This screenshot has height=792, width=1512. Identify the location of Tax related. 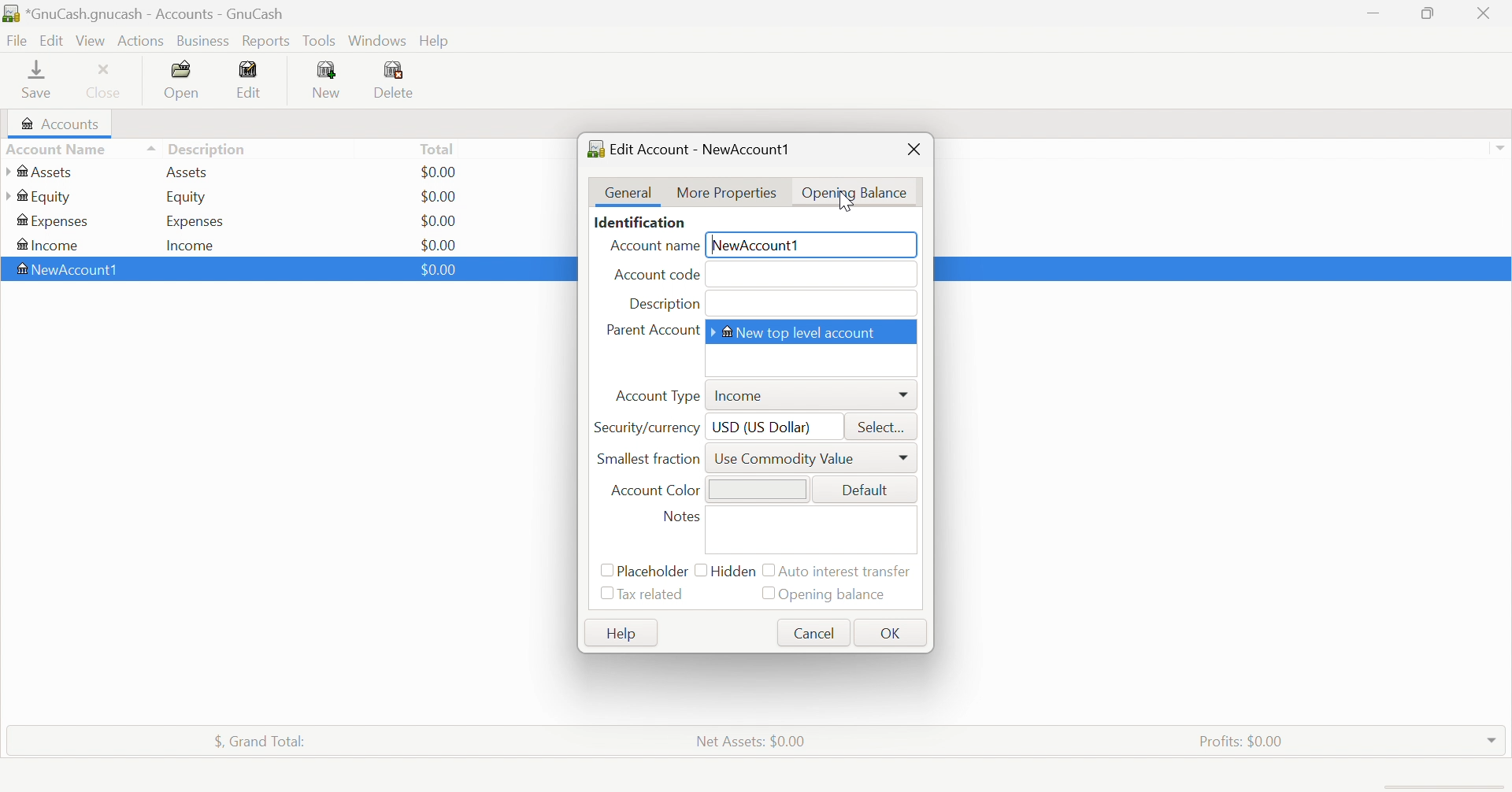
(653, 596).